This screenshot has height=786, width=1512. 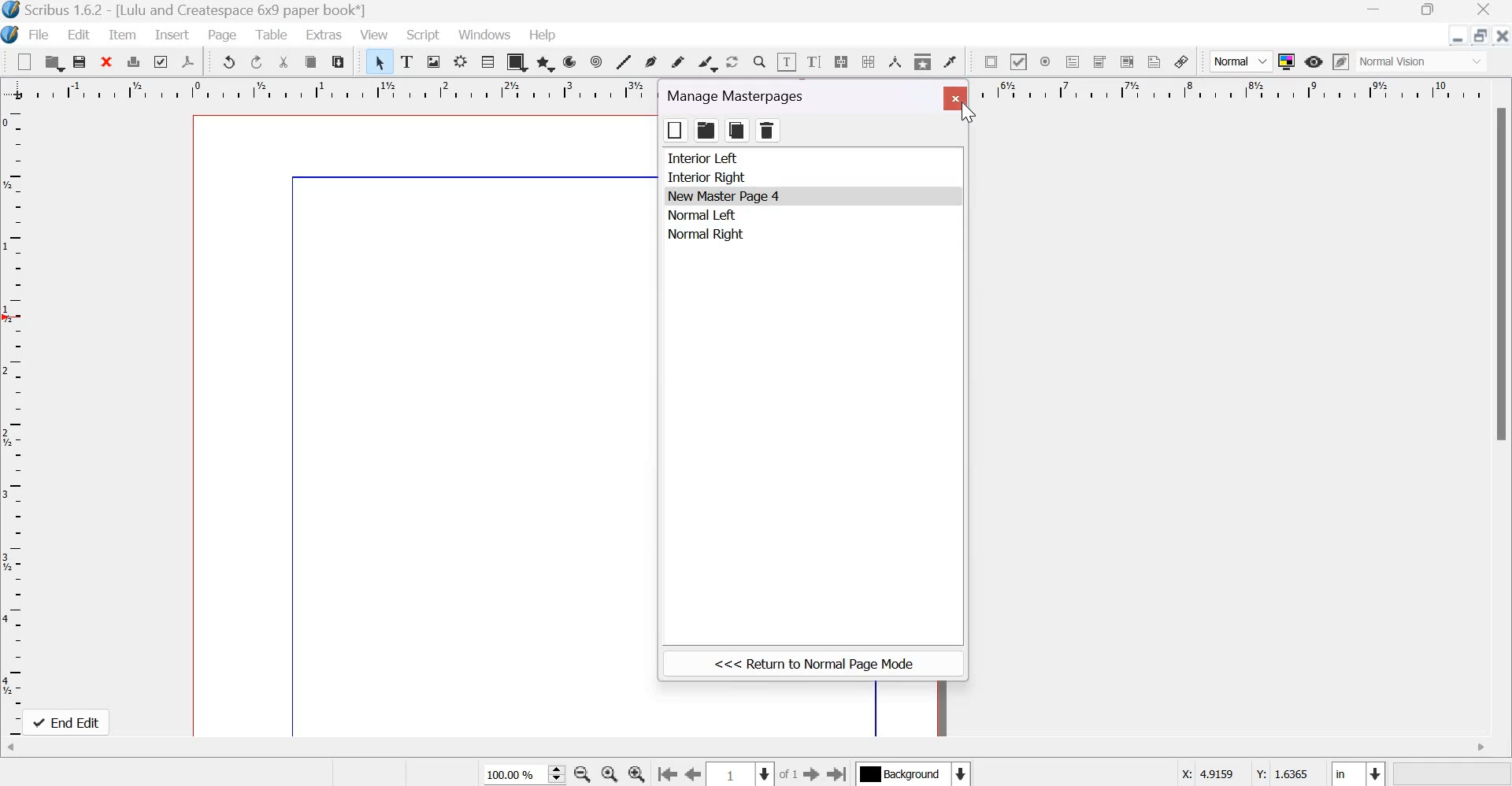 What do you see at coordinates (813, 665) in the screenshot?
I see `return to normal page mode` at bounding box center [813, 665].